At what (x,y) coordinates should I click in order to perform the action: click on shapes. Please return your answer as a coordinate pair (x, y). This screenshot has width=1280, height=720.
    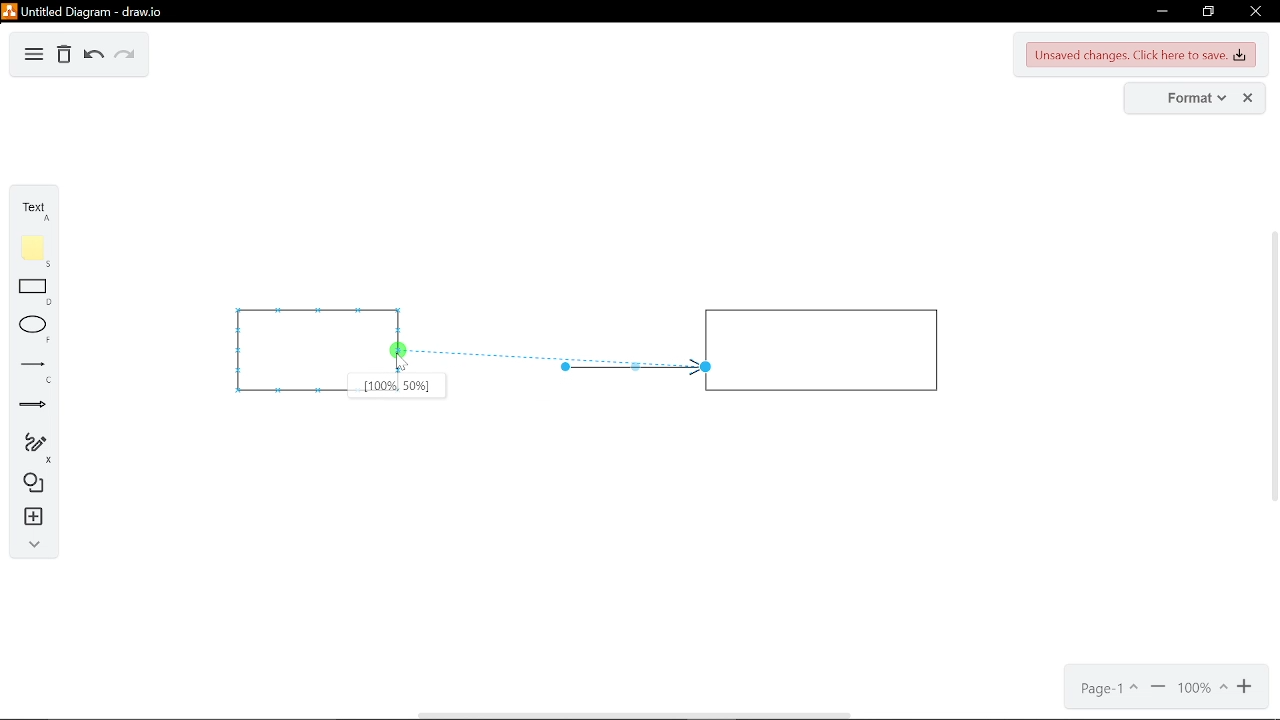
    Looking at the image, I should click on (30, 482).